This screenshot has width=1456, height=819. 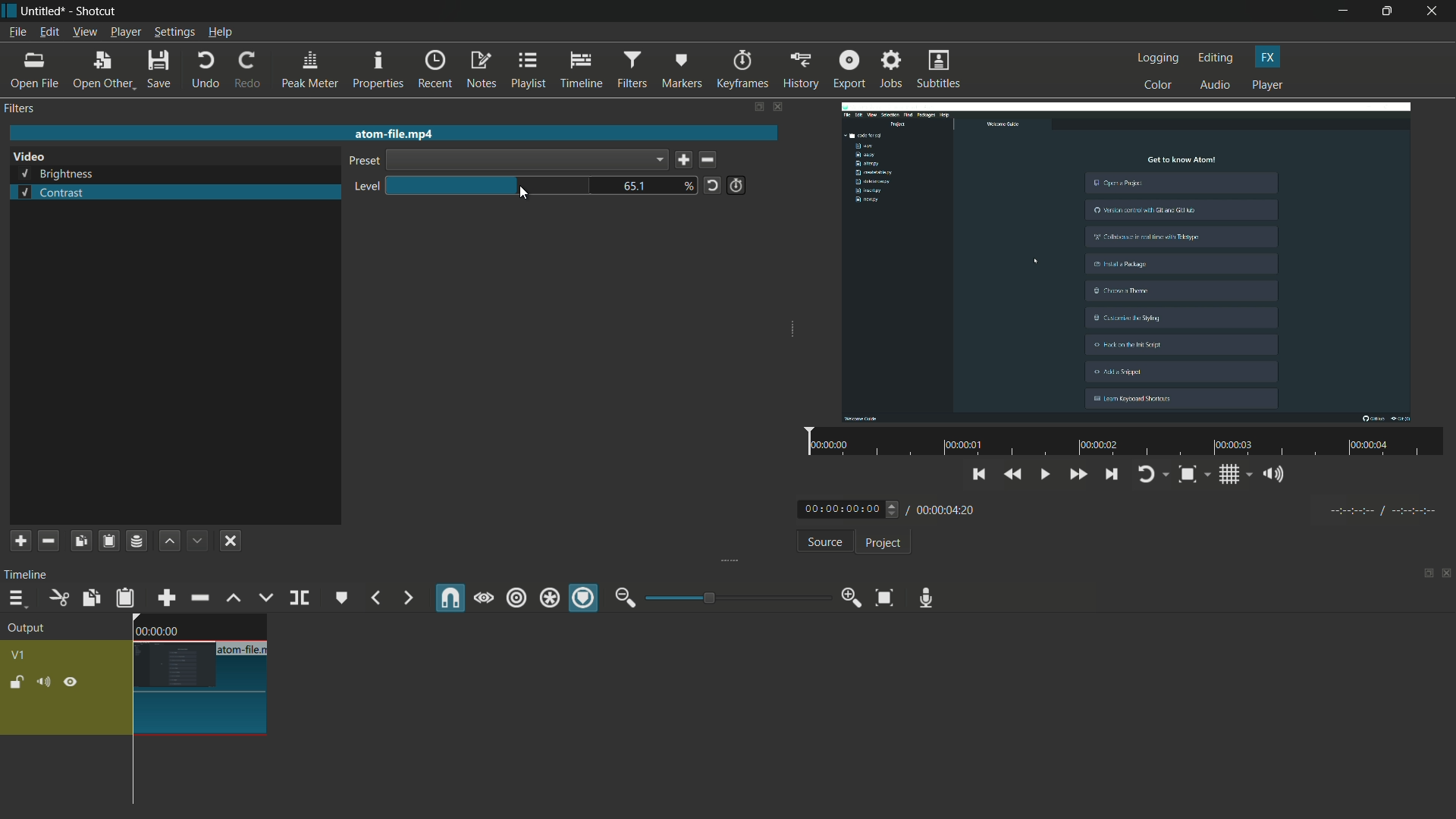 What do you see at coordinates (1079, 476) in the screenshot?
I see `quickly play forward` at bounding box center [1079, 476].